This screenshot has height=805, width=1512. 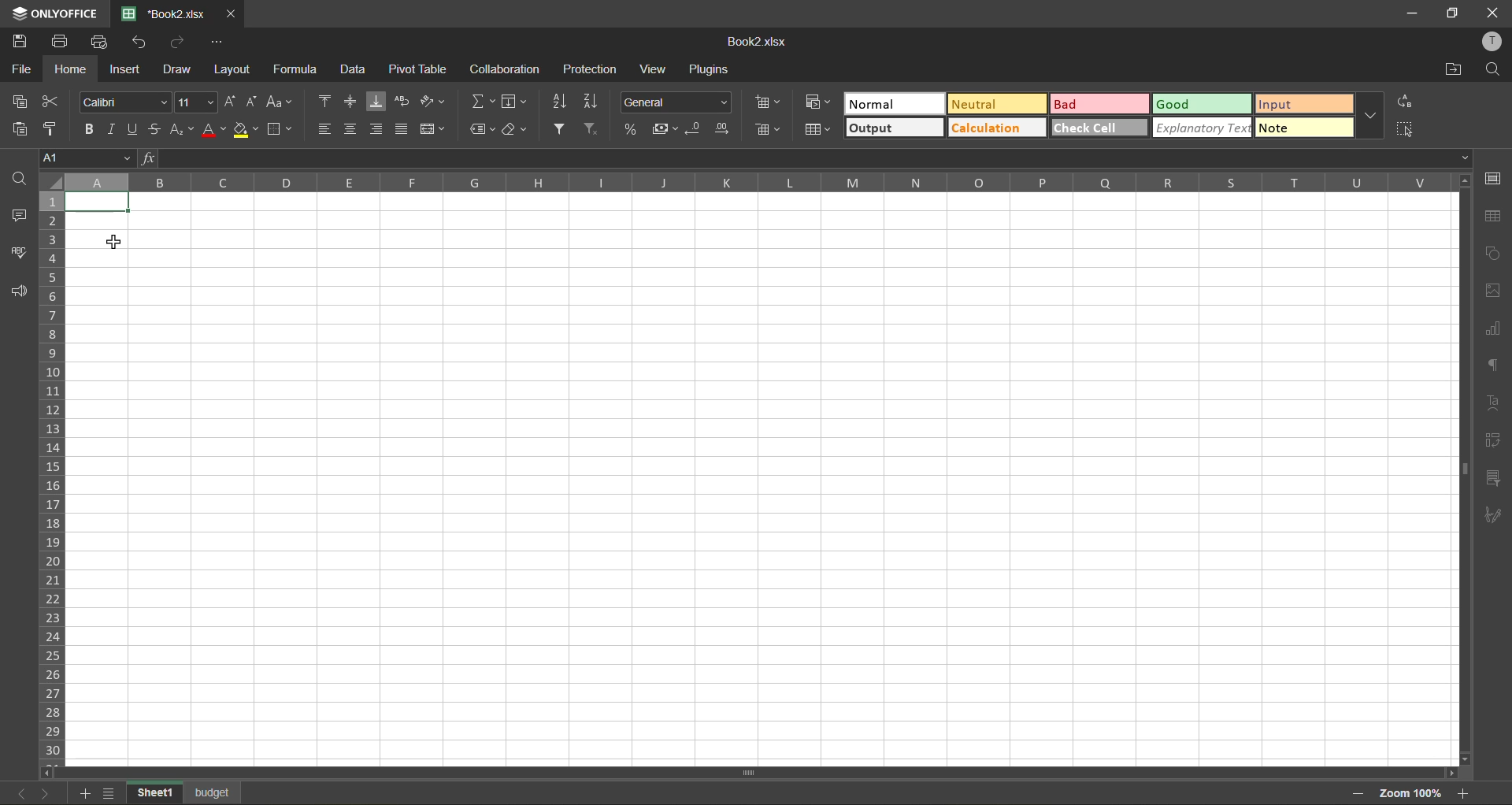 I want to click on appname, so click(x=53, y=14).